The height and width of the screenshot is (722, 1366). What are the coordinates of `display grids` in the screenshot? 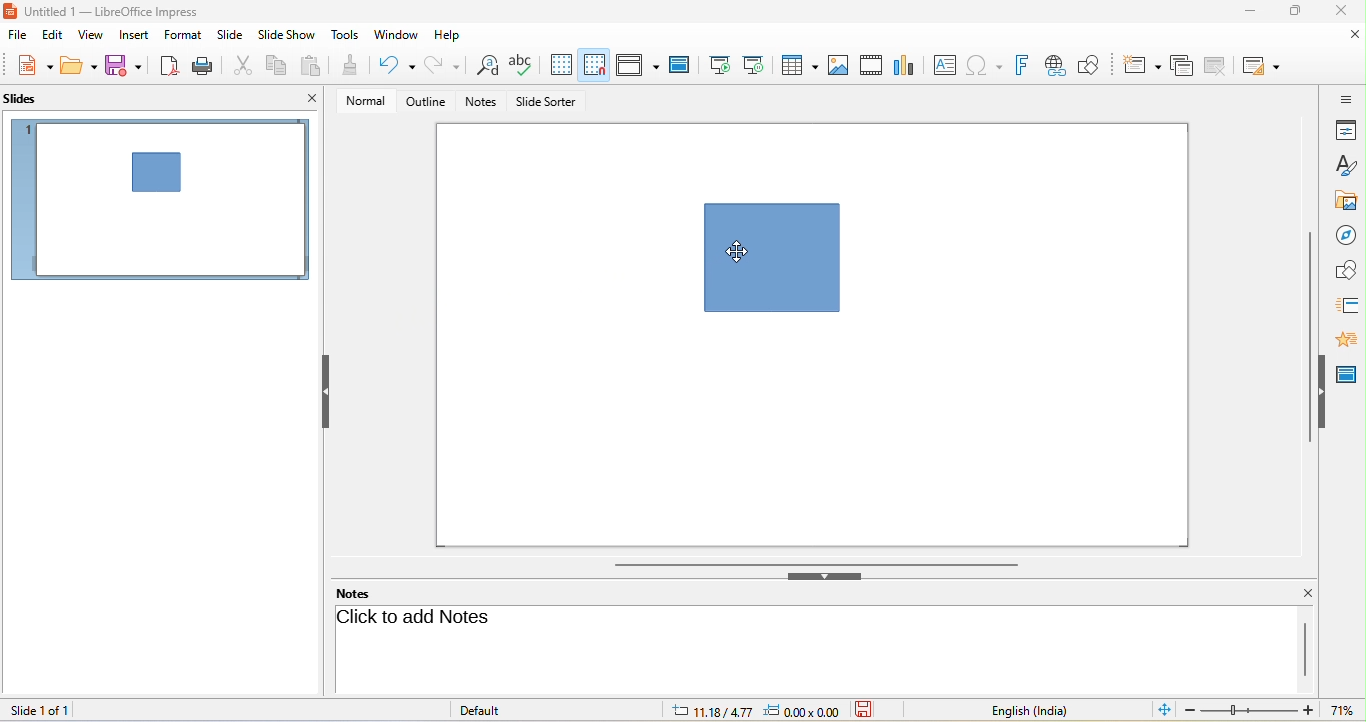 It's located at (559, 63).